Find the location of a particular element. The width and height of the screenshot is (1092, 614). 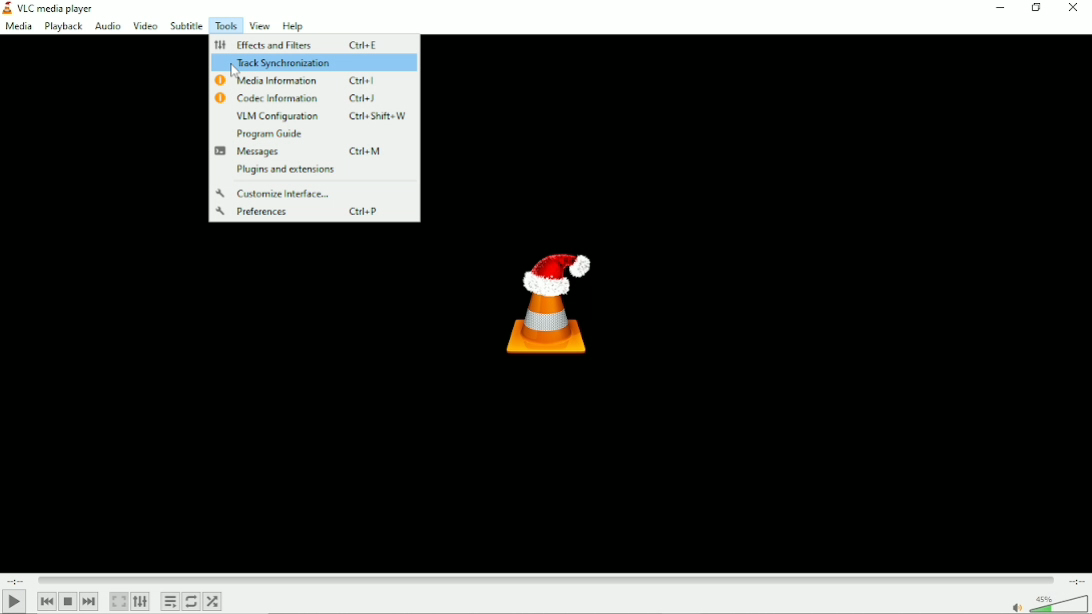

Audio is located at coordinates (106, 26).